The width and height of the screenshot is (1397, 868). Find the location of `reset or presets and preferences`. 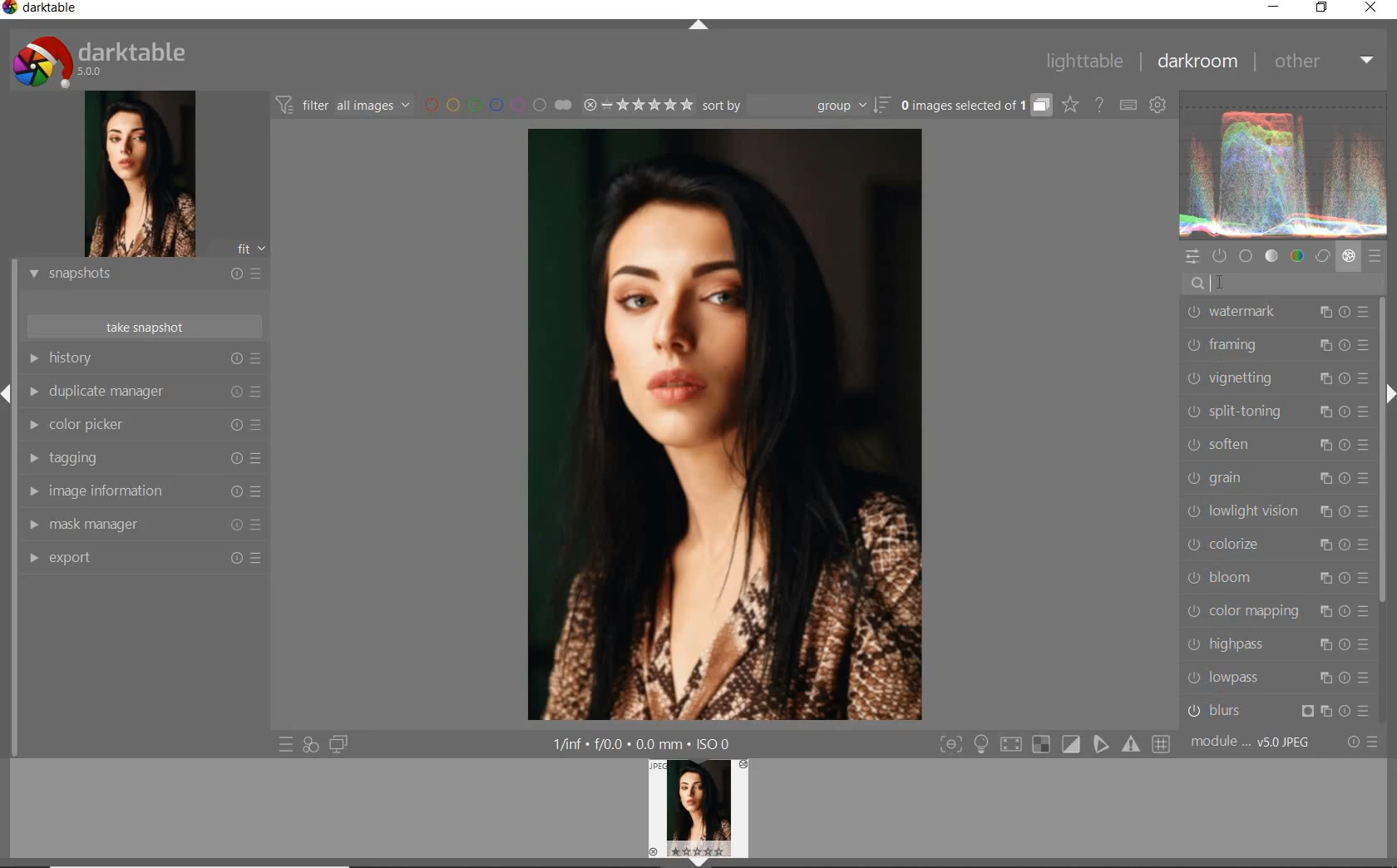

reset or presets and preferences is located at coordinates (1363, 742).